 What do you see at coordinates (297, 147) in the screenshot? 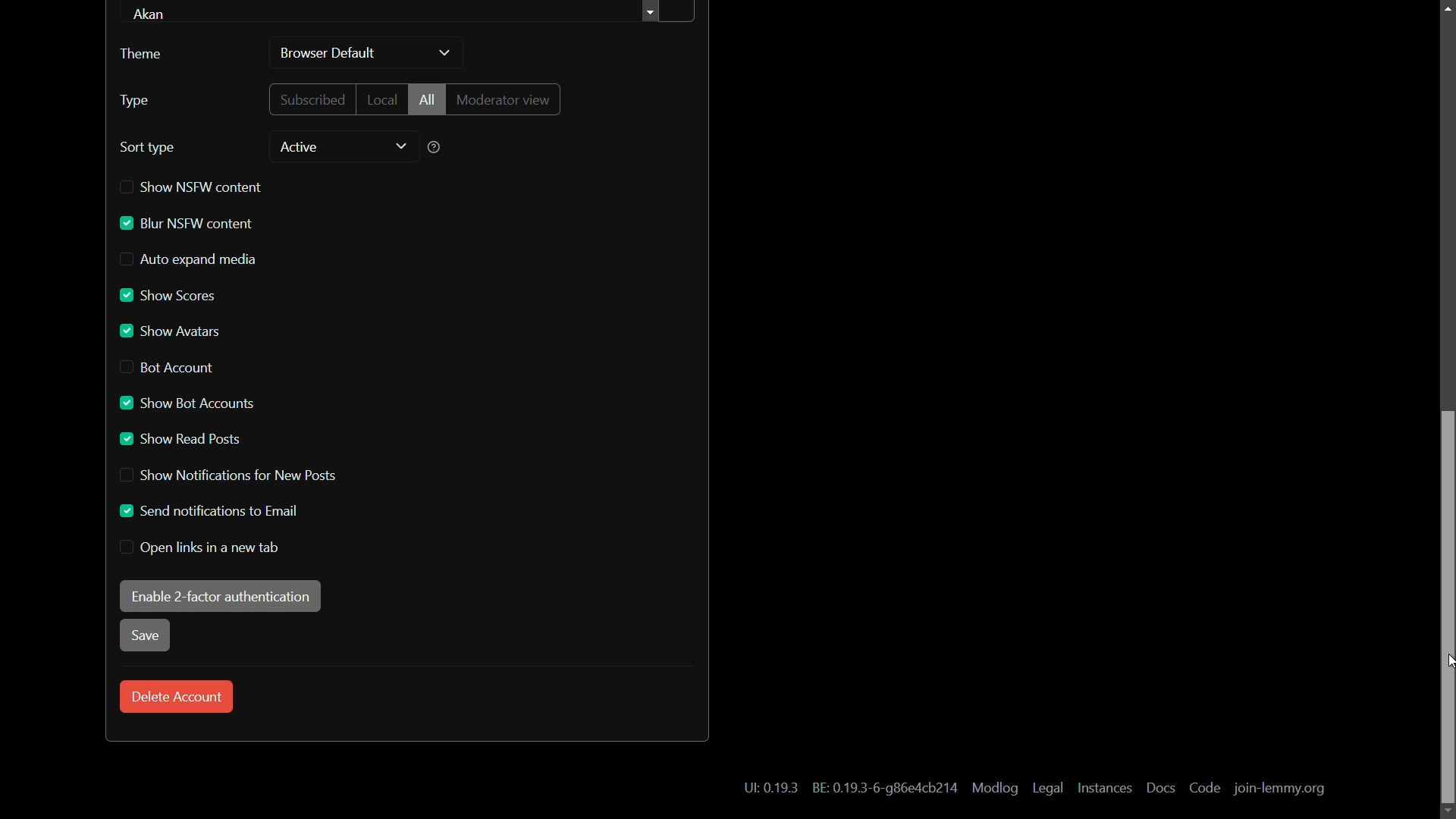
I see `active` at bounding box center [297, 147].